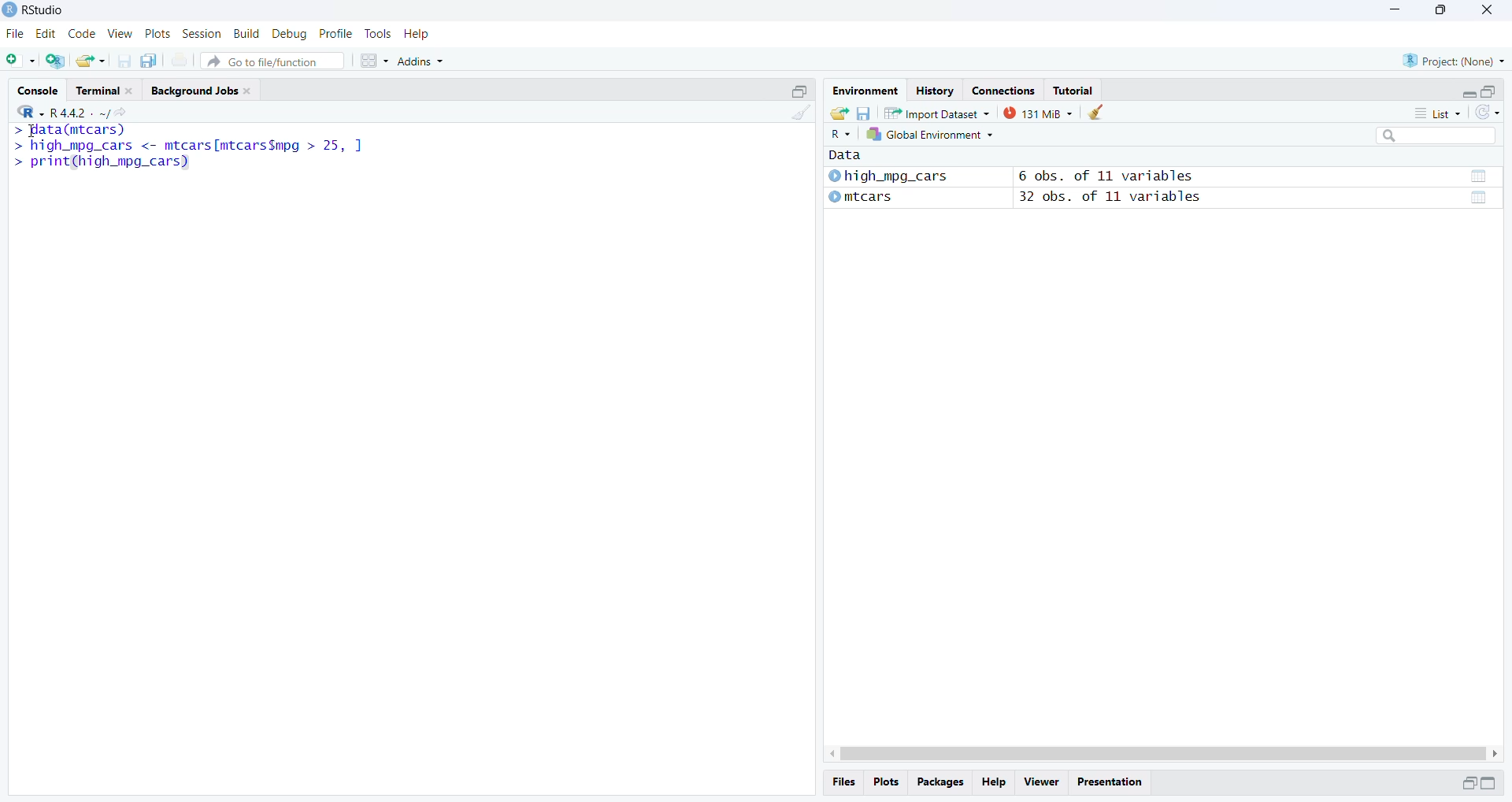 This screenshot has width=1512, height=802. What do you see at coordinates (1488, 113) in the screenshot?
I see `refresh` at bounding box center [1488, 113].